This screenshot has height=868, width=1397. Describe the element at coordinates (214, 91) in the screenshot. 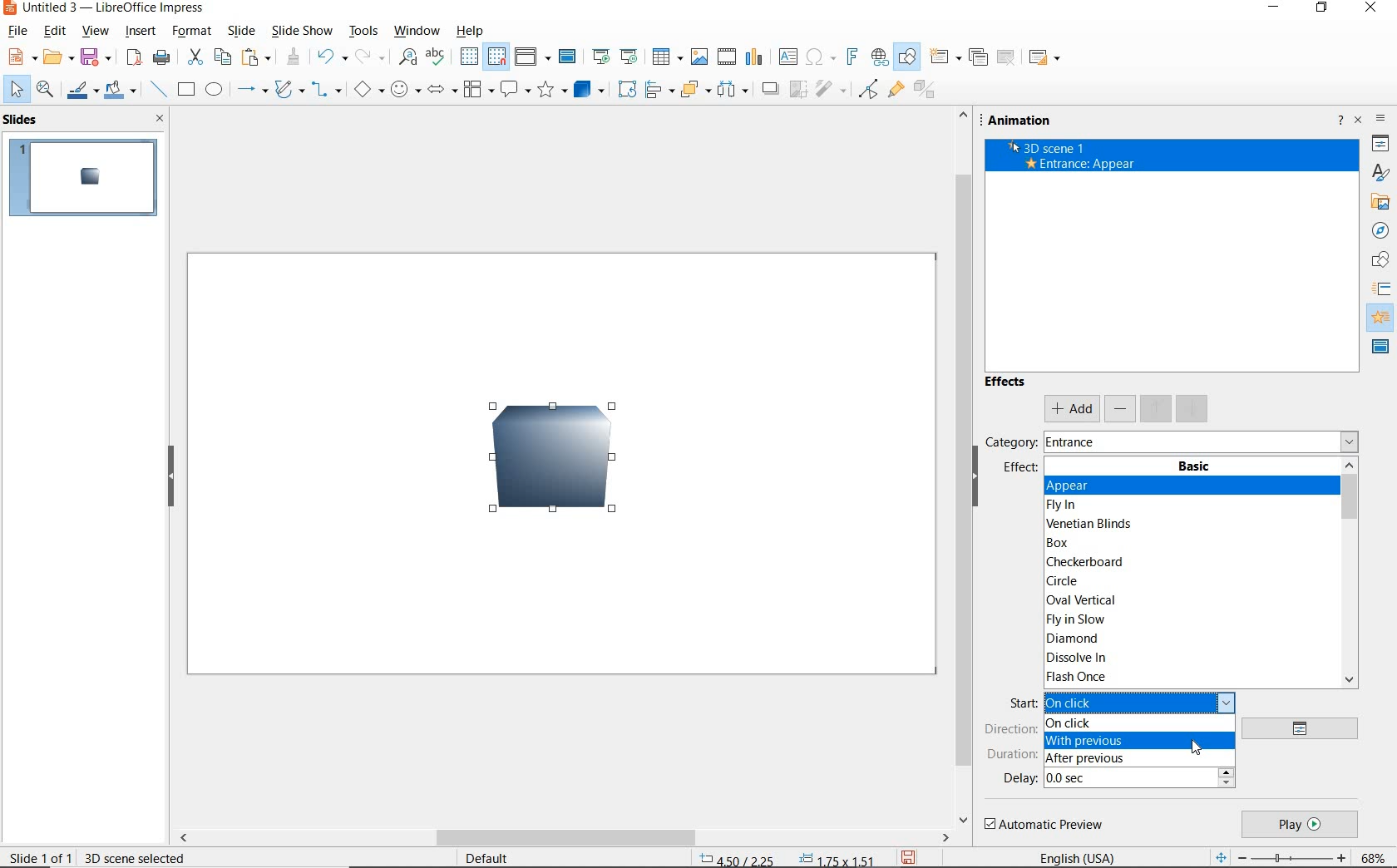

I see `ellipse` at that location.